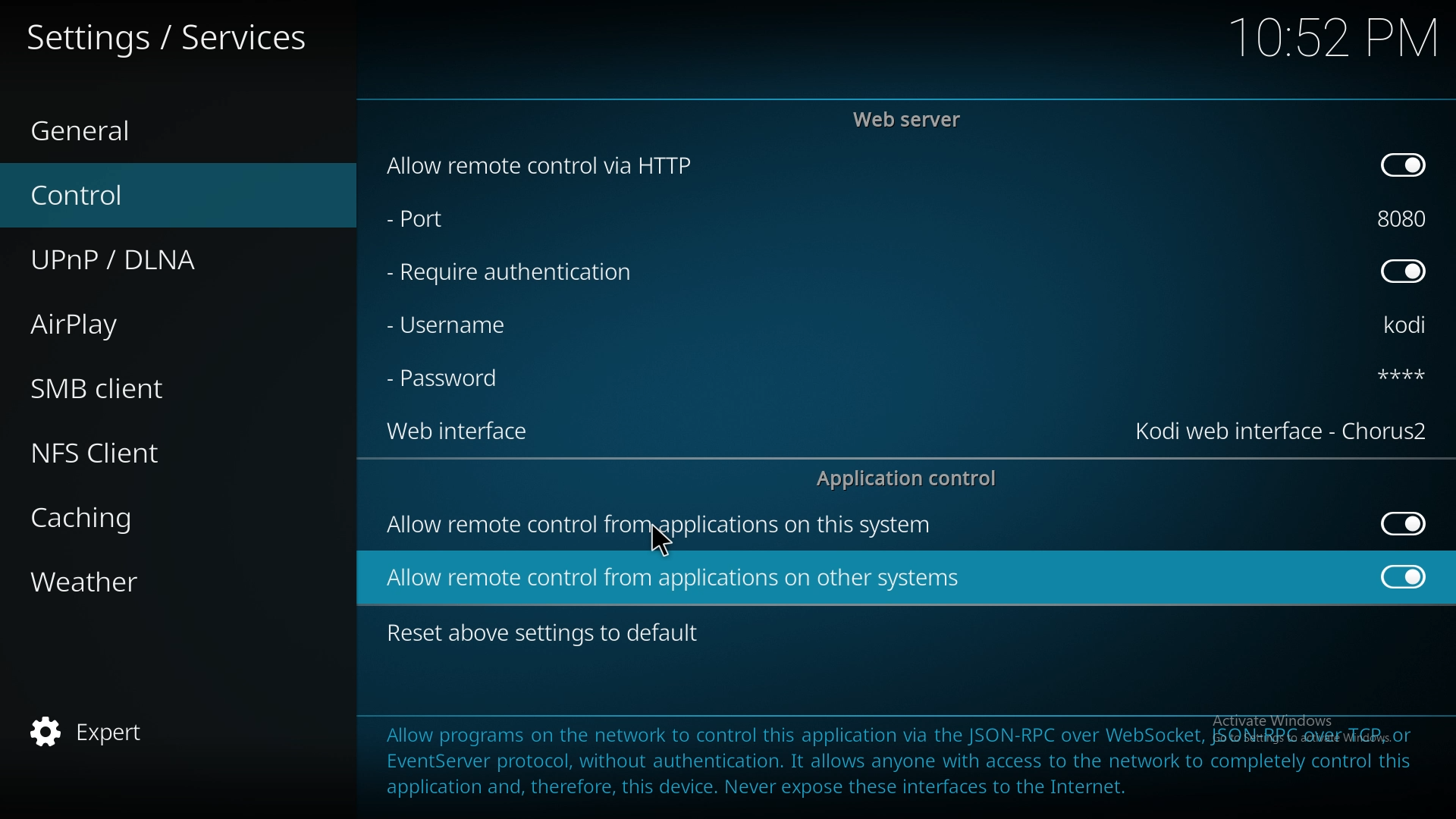  Describe the element at coordinates (1284, 431) in the screenshot. I see `web interface` at that location.